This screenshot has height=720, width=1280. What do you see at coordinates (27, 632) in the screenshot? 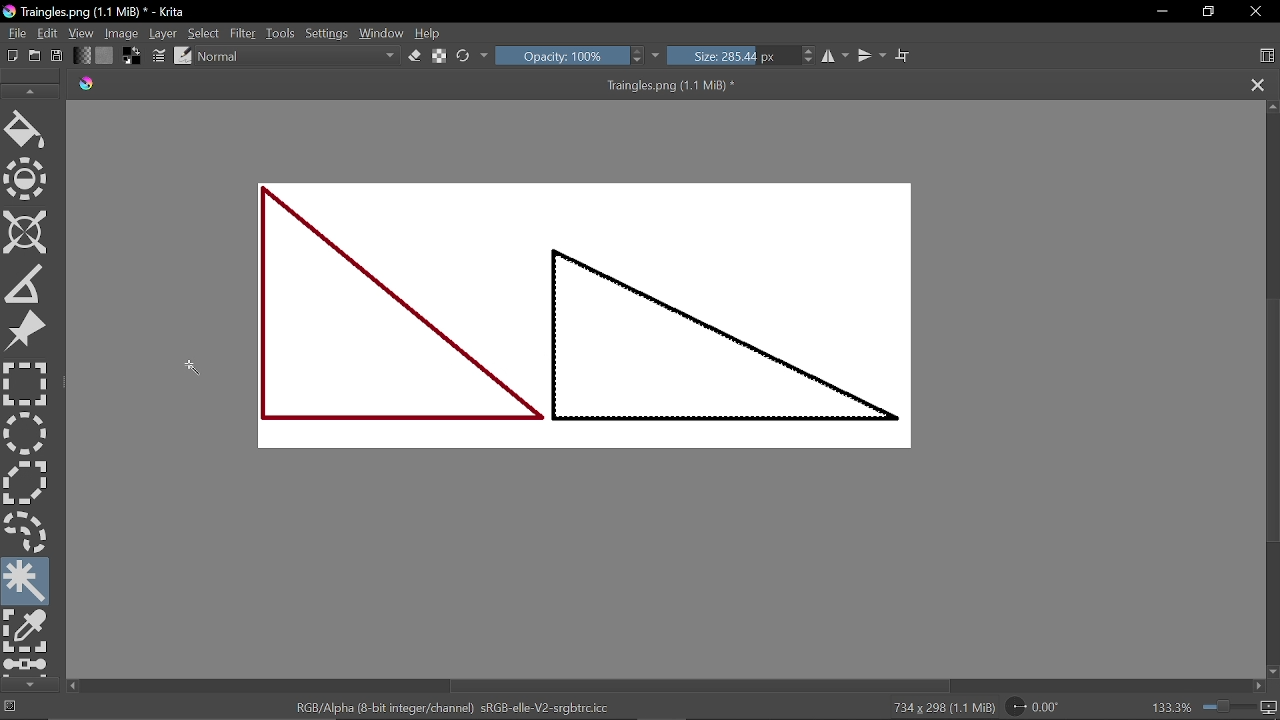
I see `Select by color tool` at bounding box center [27, 632].